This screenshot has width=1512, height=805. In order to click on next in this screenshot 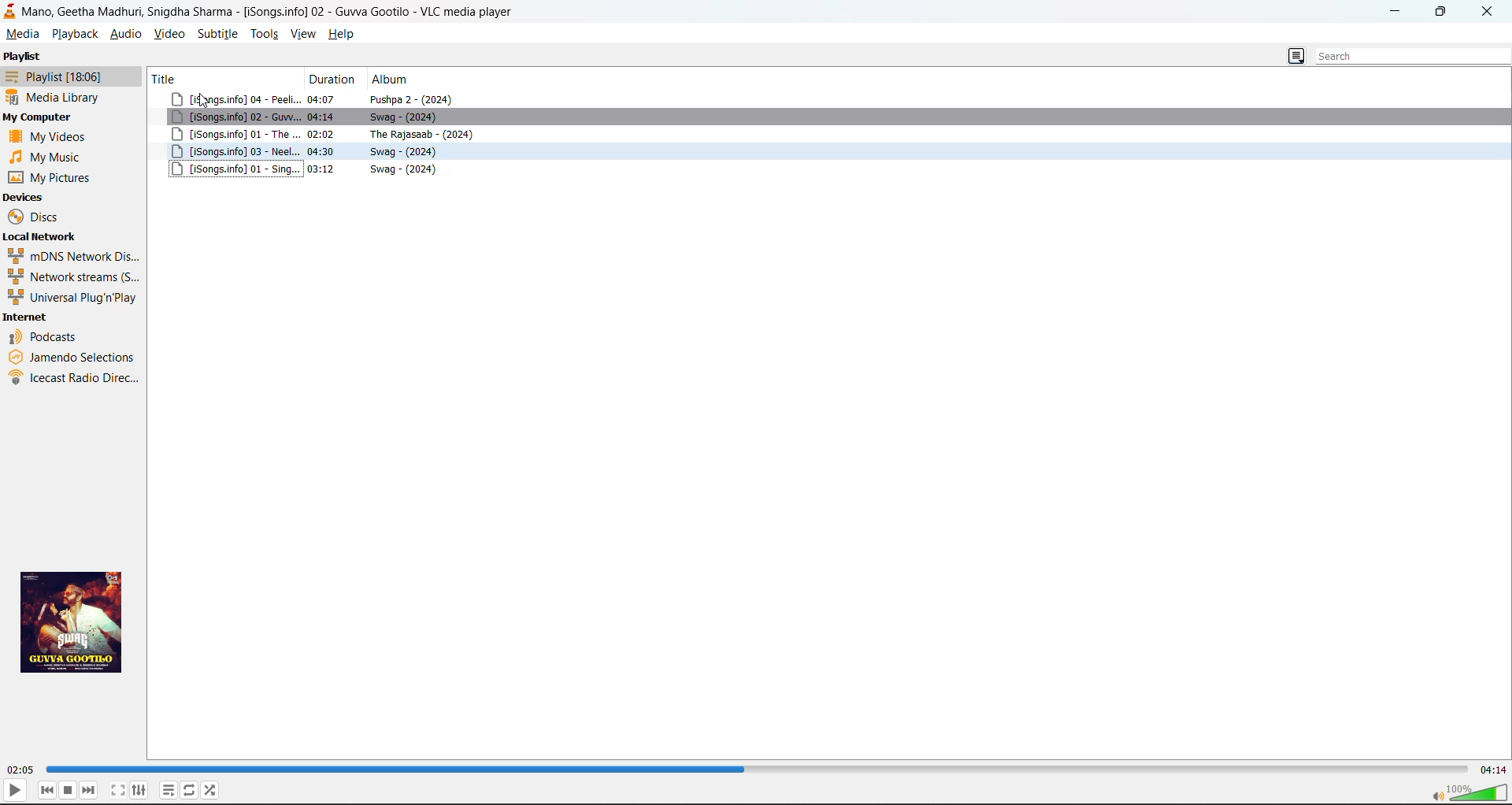, I will do `click(89, 790)`.